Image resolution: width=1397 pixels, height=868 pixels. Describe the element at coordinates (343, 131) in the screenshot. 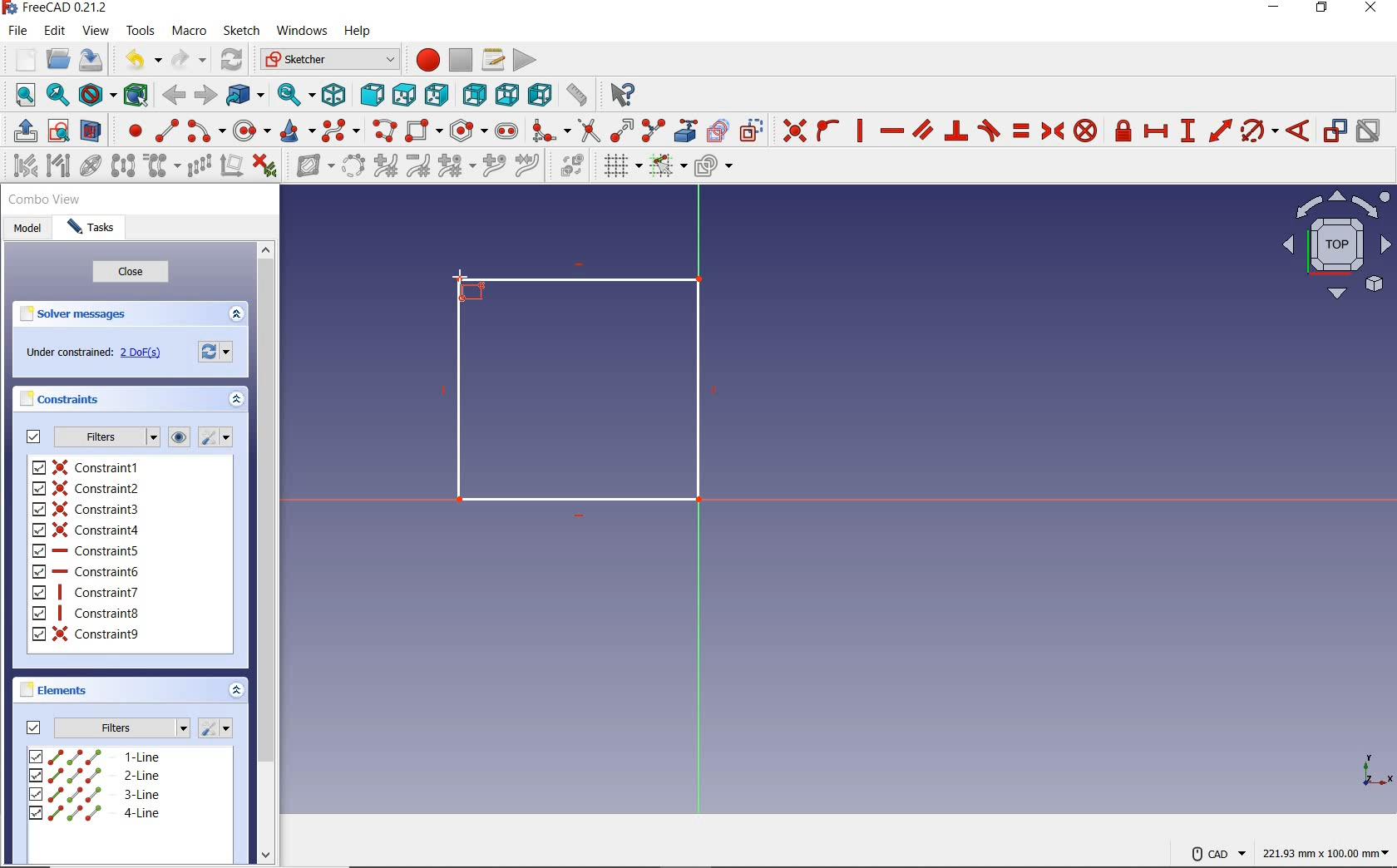

I see `create B-Spline` at that location.